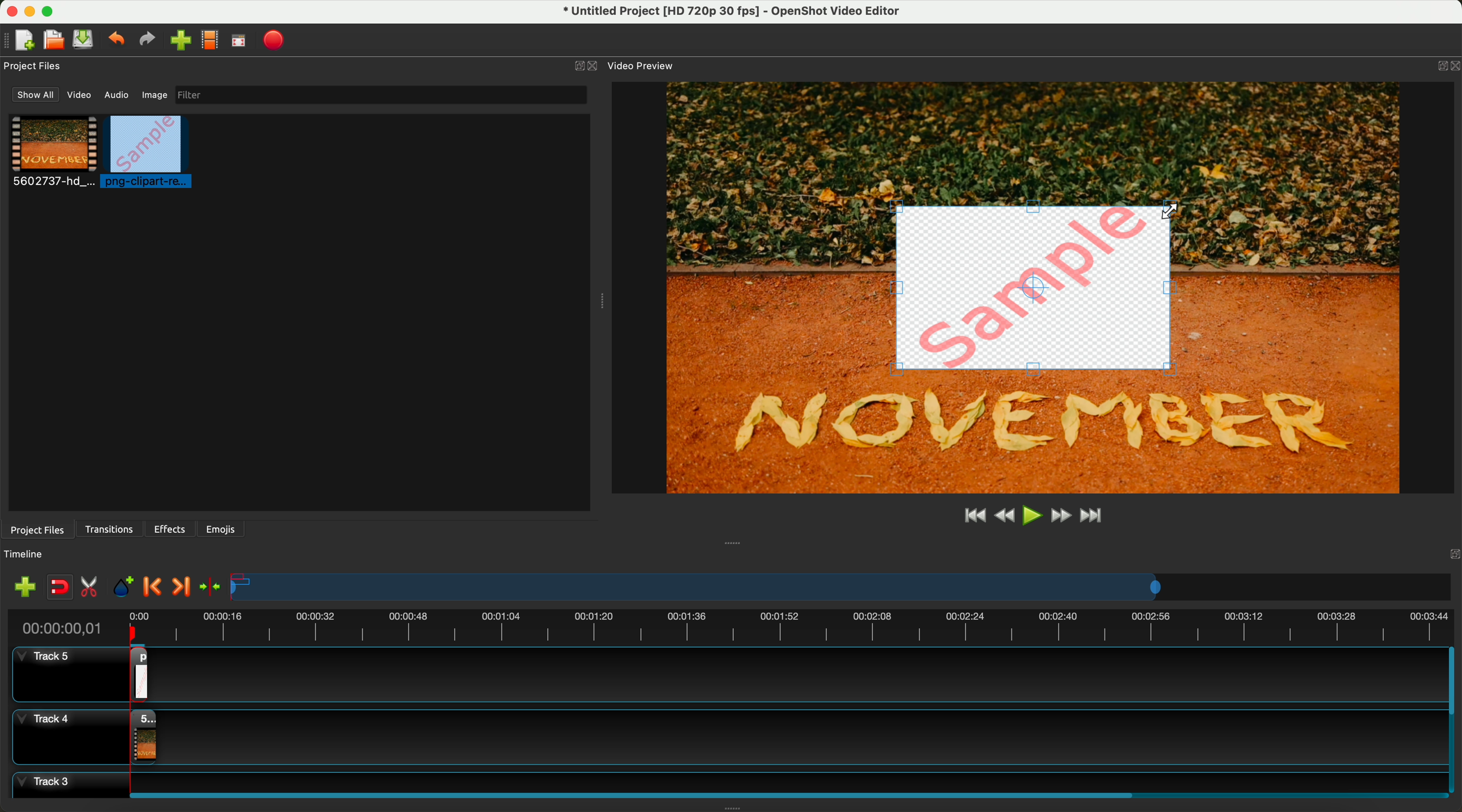  I want to click on BUTTON, so click(1439, 63).